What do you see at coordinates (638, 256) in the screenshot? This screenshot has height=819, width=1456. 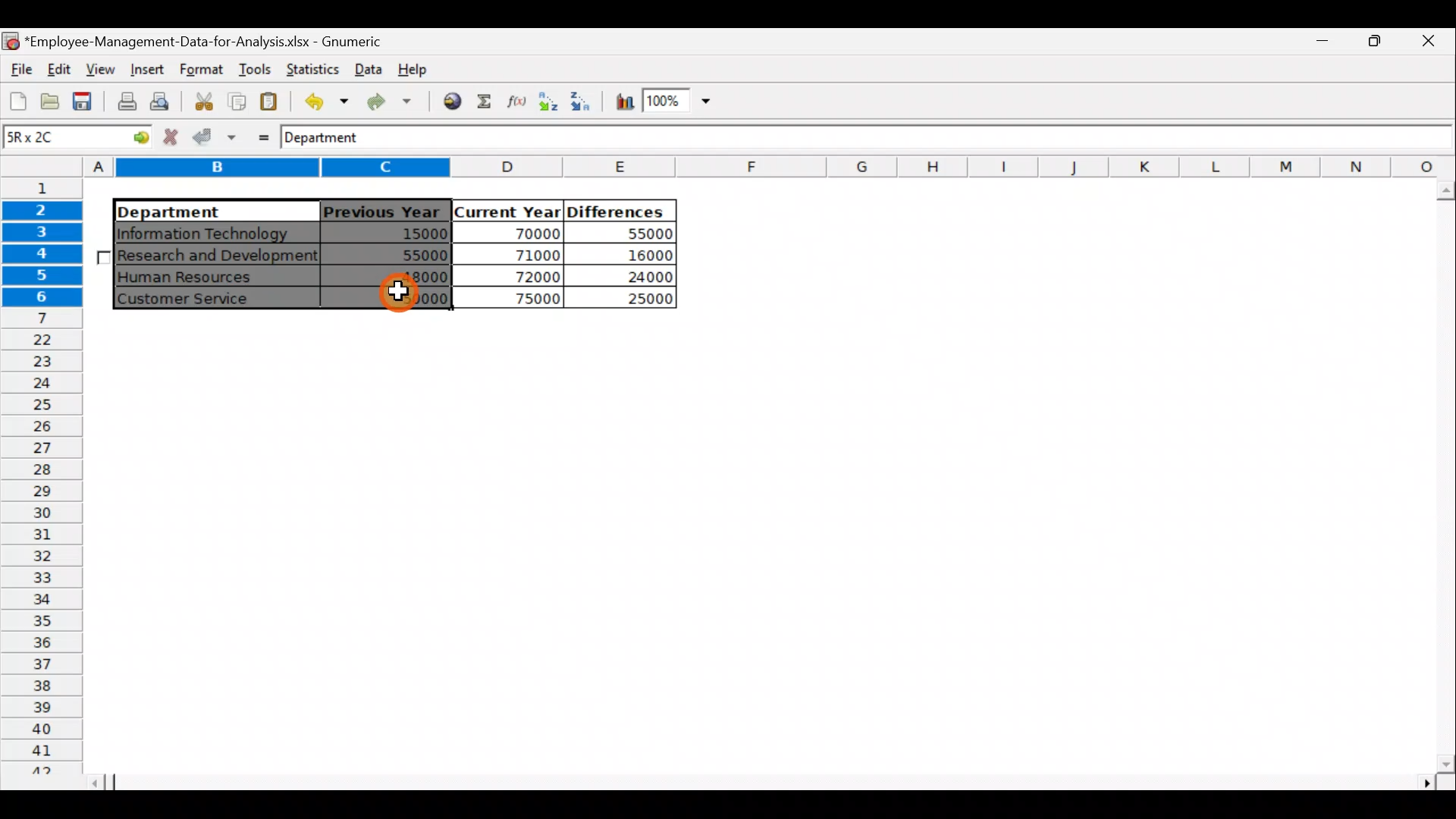 I see `16000` at bounding box center [638, 256].